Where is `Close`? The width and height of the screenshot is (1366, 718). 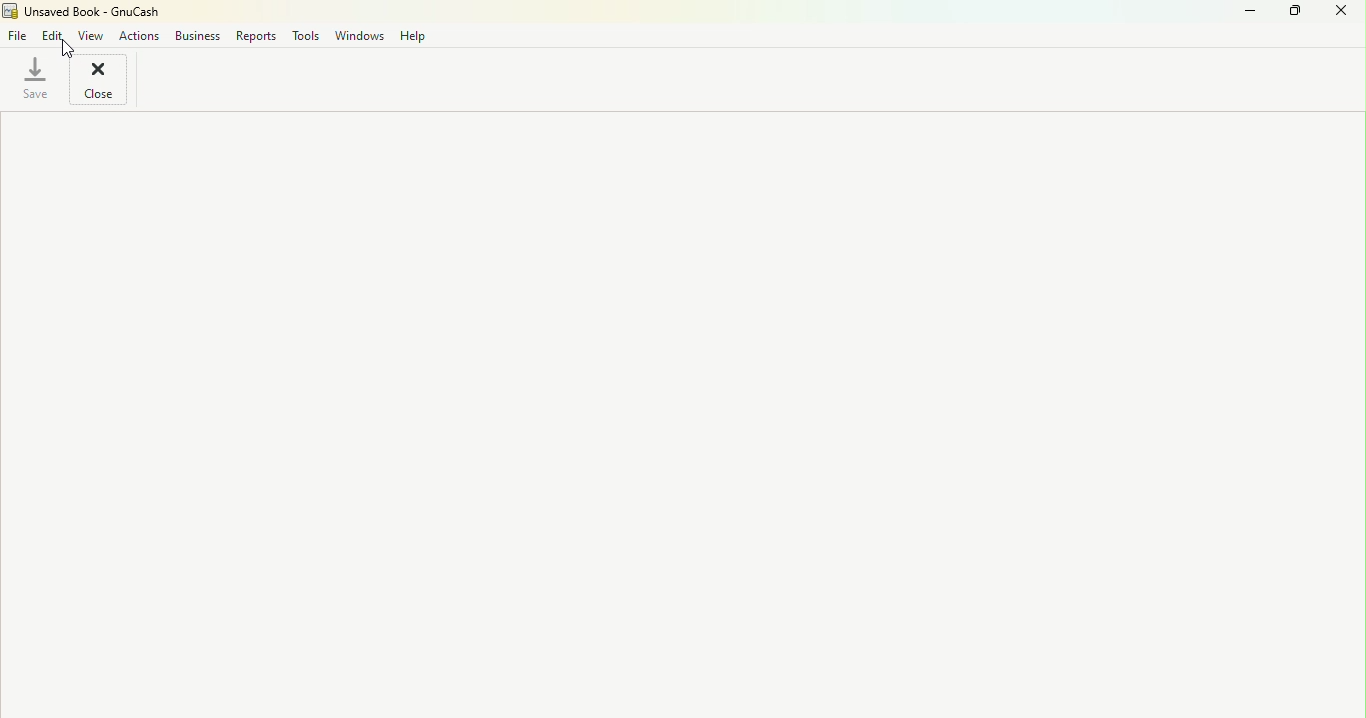
Close is located at coordinates (1346, 20).